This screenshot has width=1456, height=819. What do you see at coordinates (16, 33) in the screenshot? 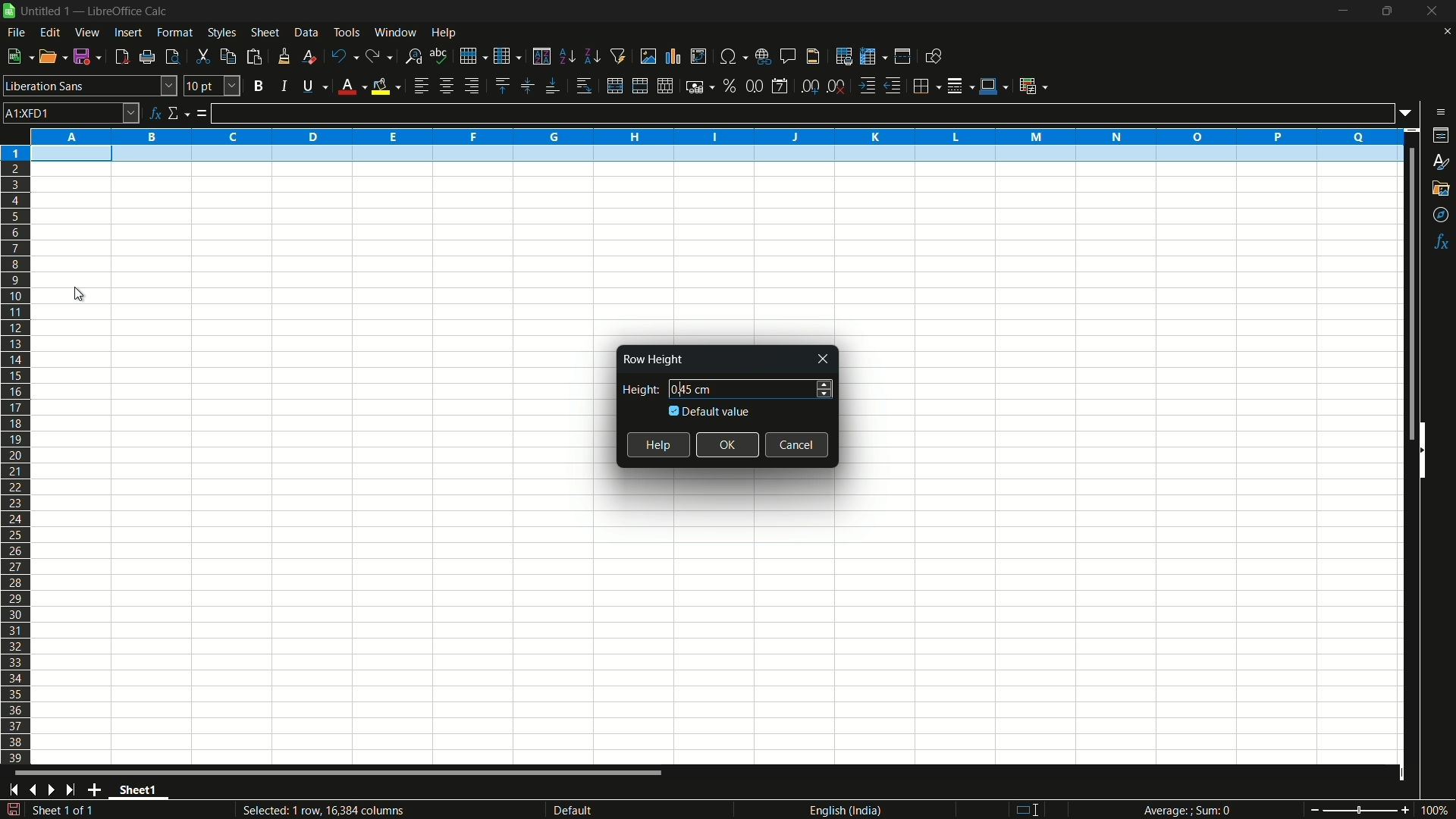
I see `file menu` at bounding box center [16, 33].